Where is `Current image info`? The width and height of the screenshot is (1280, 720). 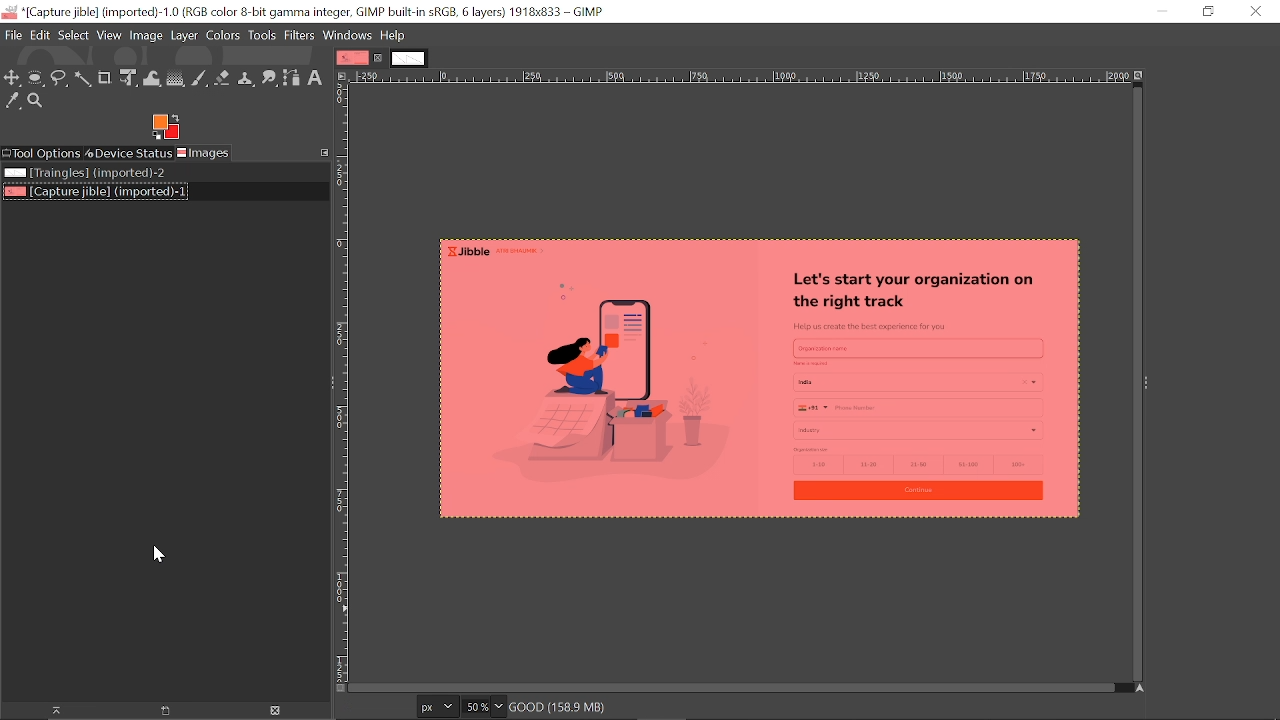 Current image info is located at coordinates (564, 708).